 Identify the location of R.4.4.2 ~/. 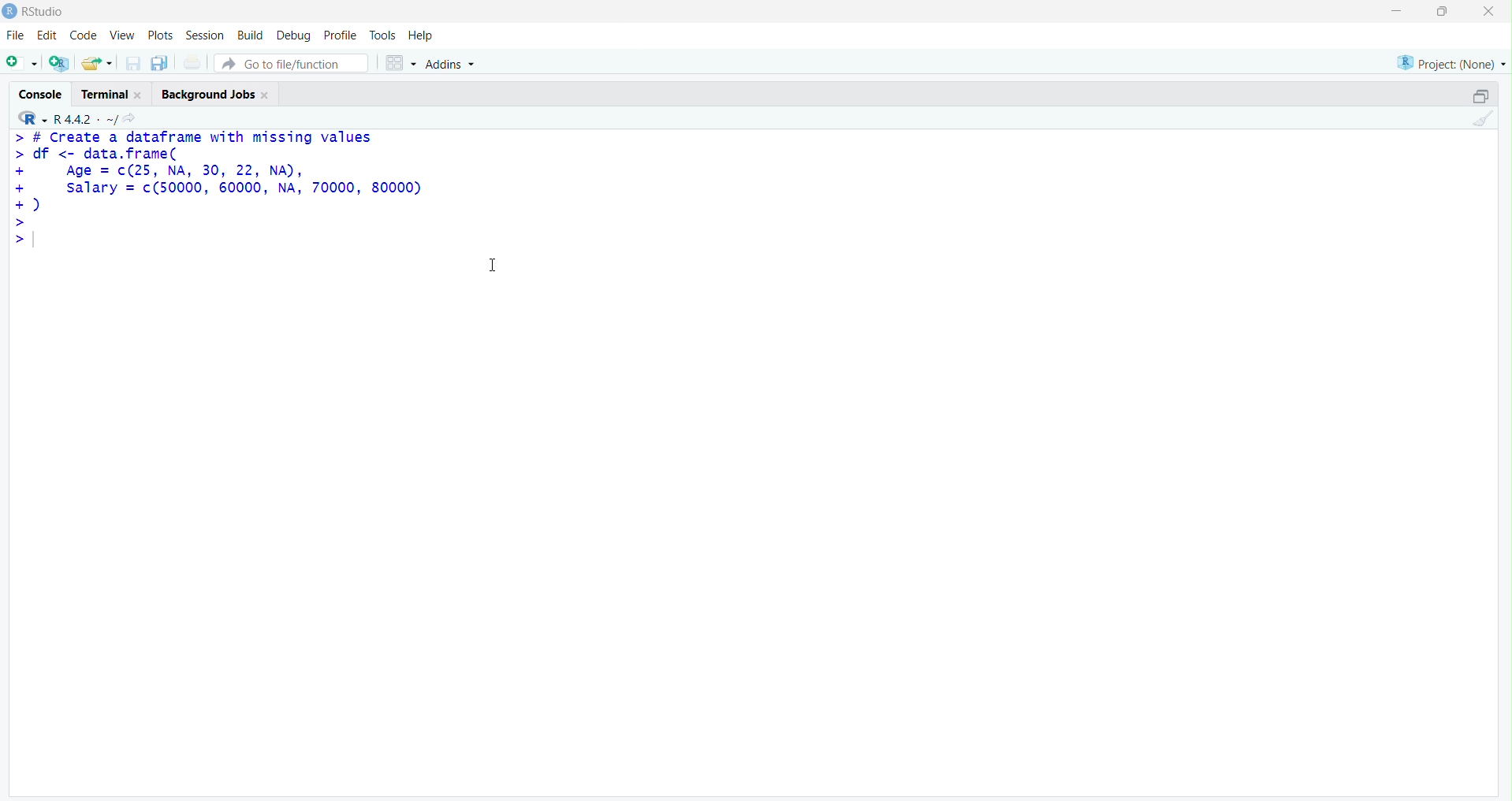
(85, 116).